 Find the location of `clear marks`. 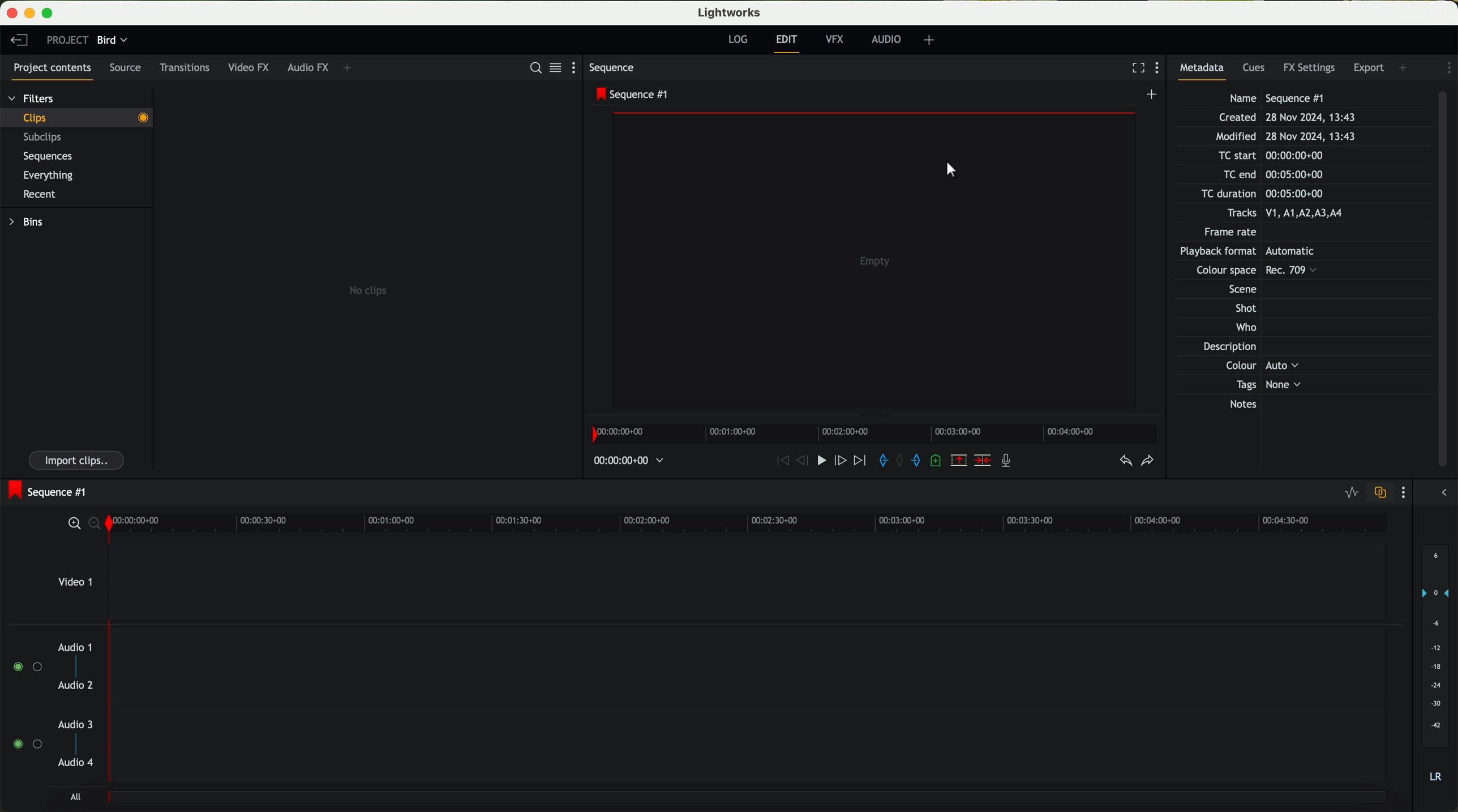

clear marks is located at coordinates (903, 461).